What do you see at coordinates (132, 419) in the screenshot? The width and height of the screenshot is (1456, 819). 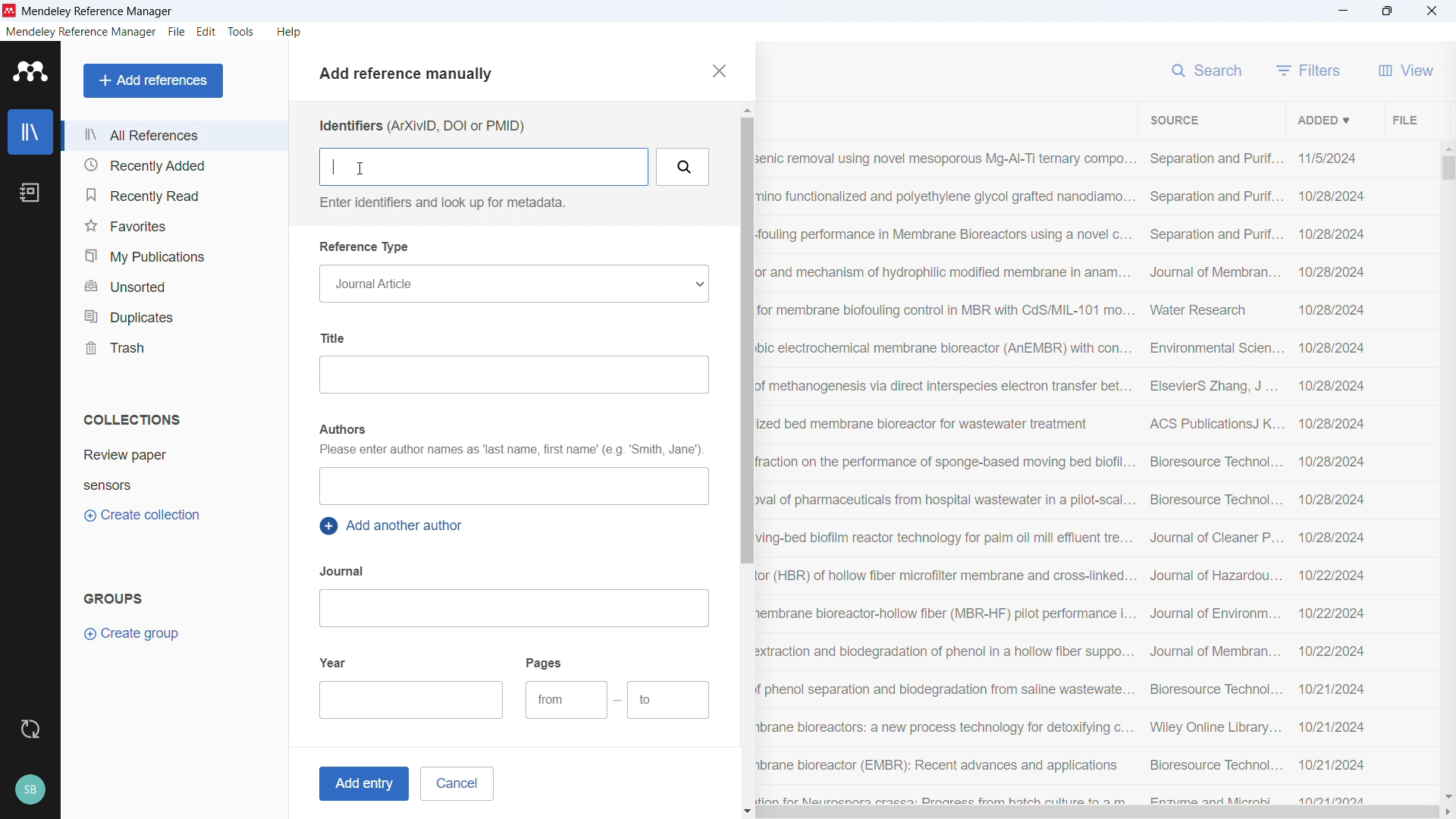 I see `Collections ` at bounding box center [132, 419].